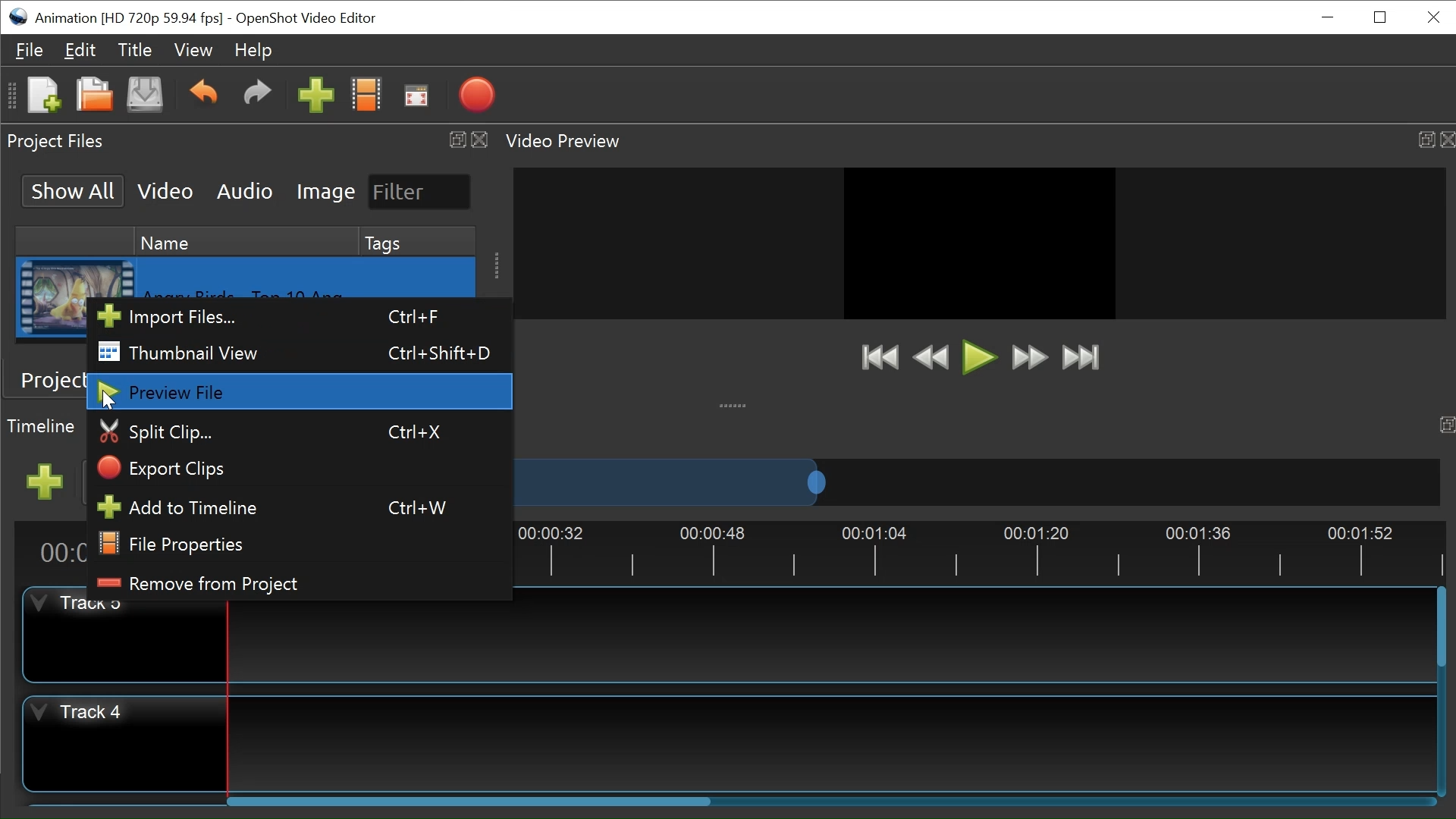 The width and height of the screenshot is (1456, 819). What do you see at coordinates (249, 52) in the screenshot?
I see `Help` at bounding box center [249, 52].